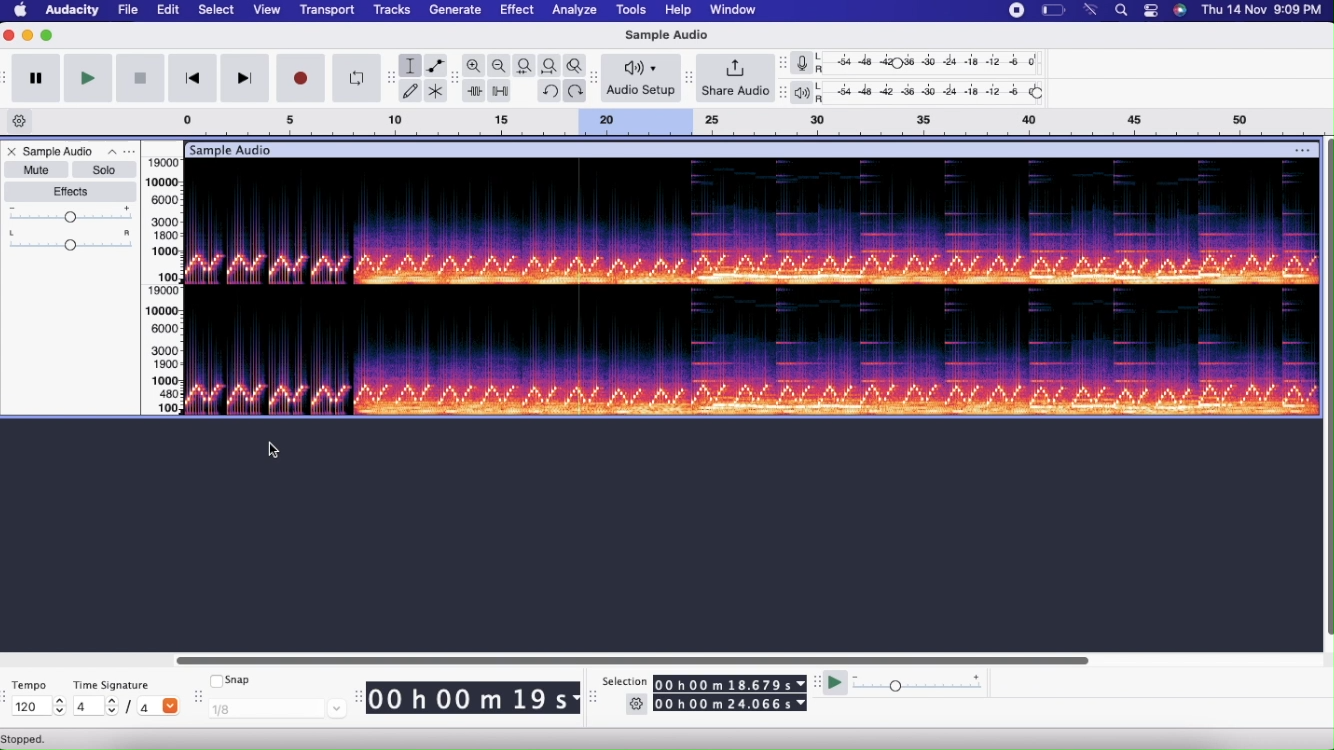 The height and width of the screenshot is (750, 1334). What do you see at coordinates (500, 92) in the screenshot?
I see `Silence audio selection` at bounding box center [500, 92].